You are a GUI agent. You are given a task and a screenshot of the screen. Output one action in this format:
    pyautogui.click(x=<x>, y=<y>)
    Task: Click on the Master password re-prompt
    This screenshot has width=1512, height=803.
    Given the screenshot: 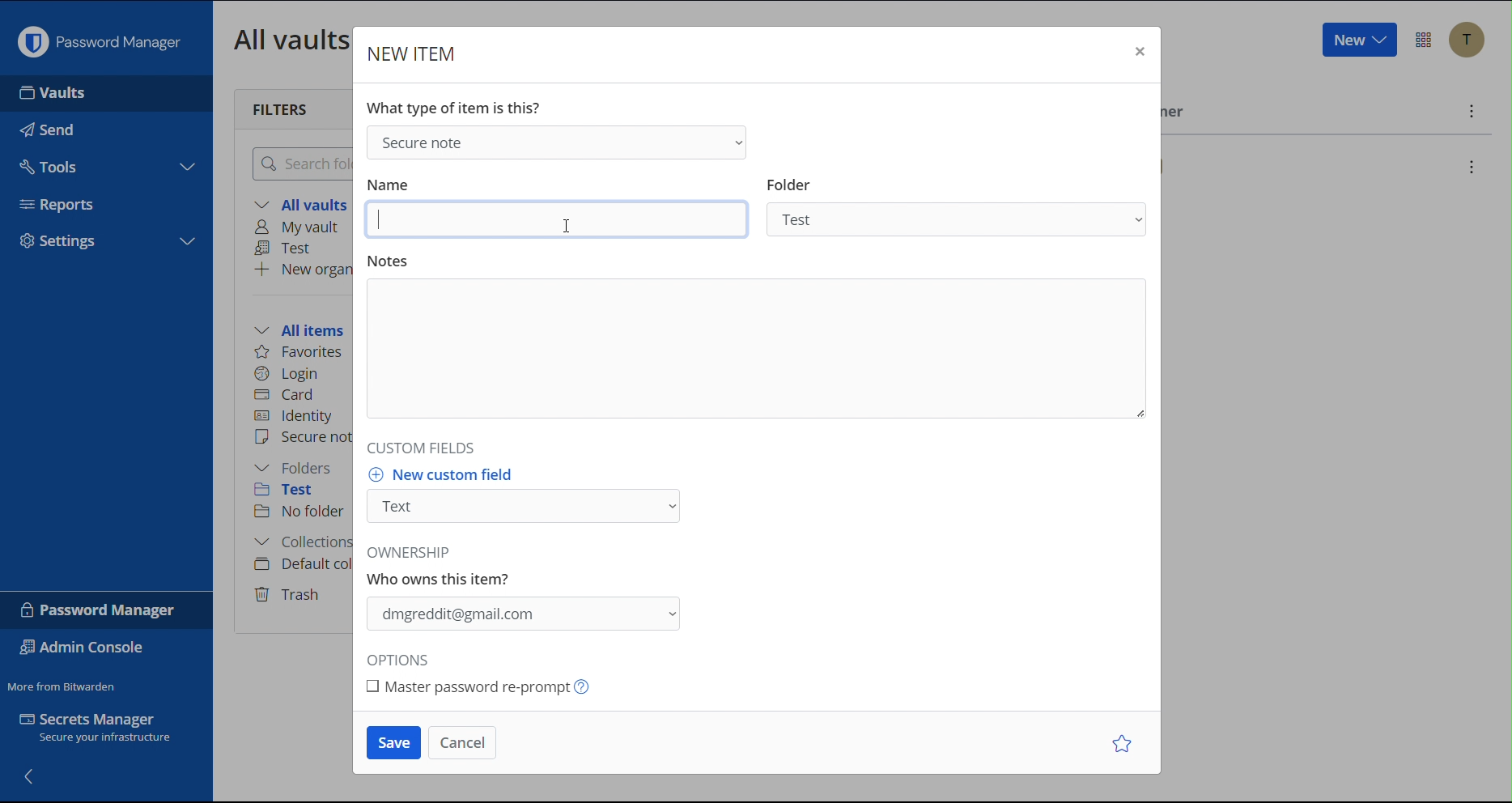 What is the action you would take?
    pyautogui.click(x=499, y=687)
    